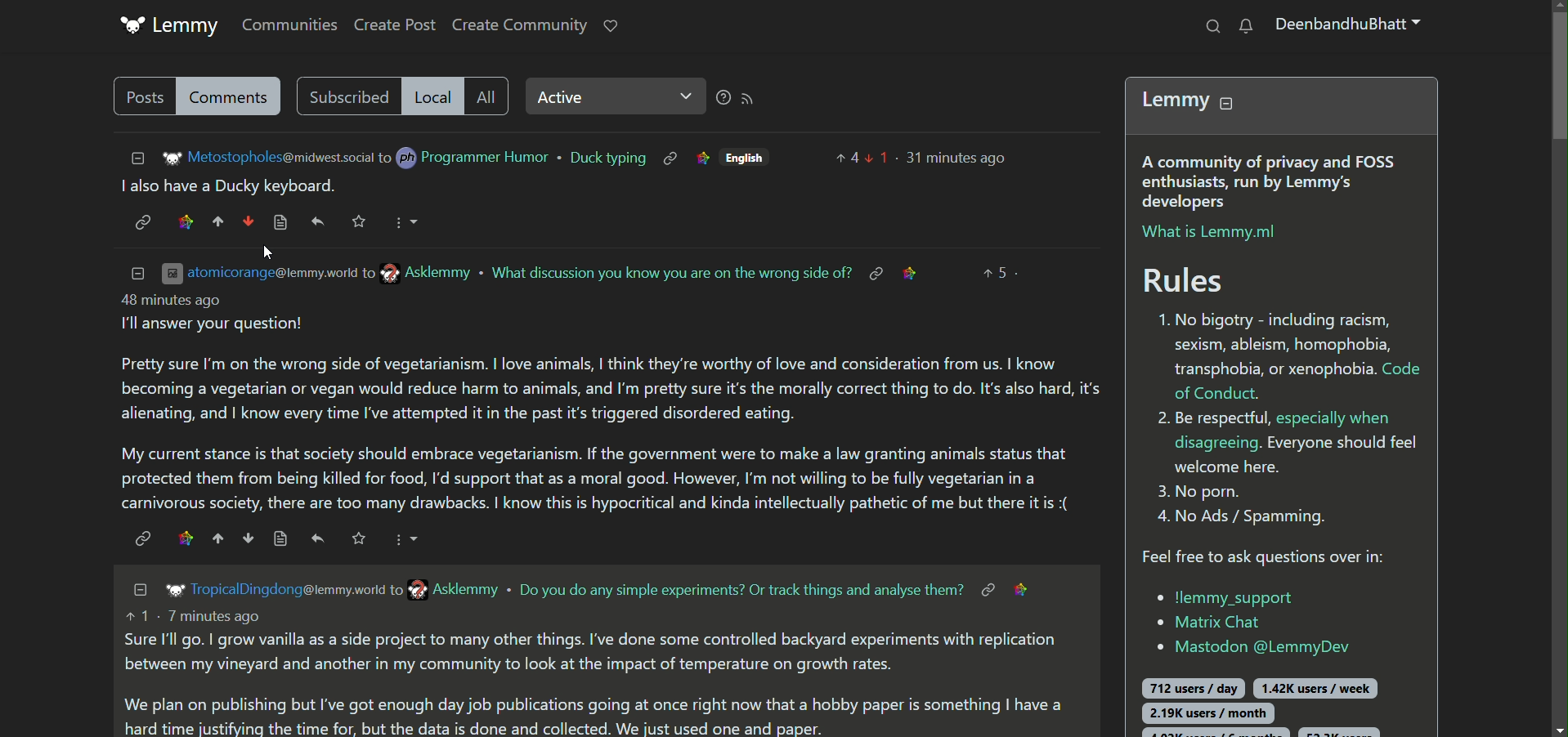 The height and width of the screenshot is (737, 1568). Describe the element at coordinates (610, 404) in the screenshot. I see `text` at that location.